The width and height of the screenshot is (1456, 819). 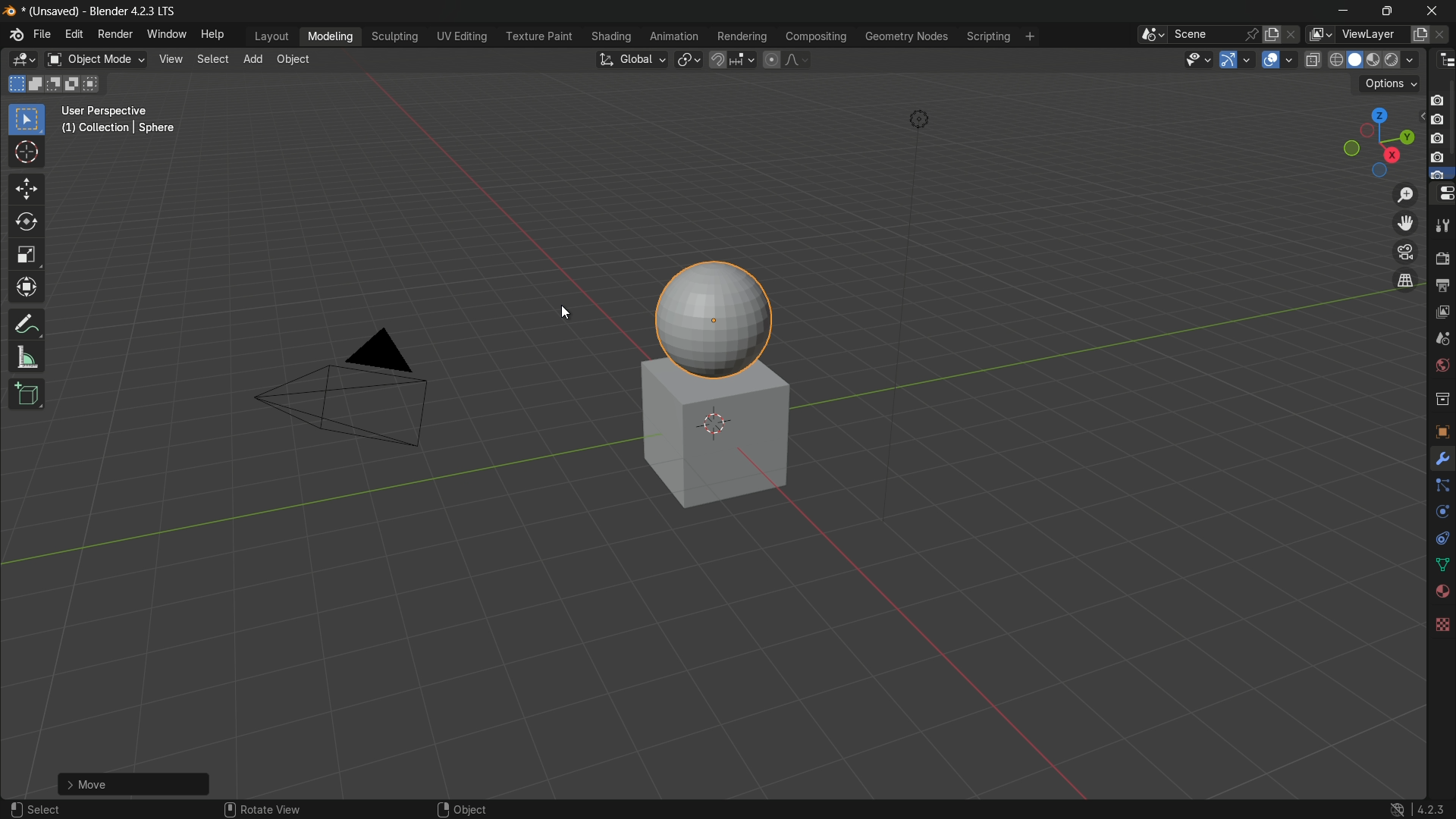 What do you see at coordinates (1335, 60) in the screenshot?
I see `wireframe display` at bounding box center [1335, 60].